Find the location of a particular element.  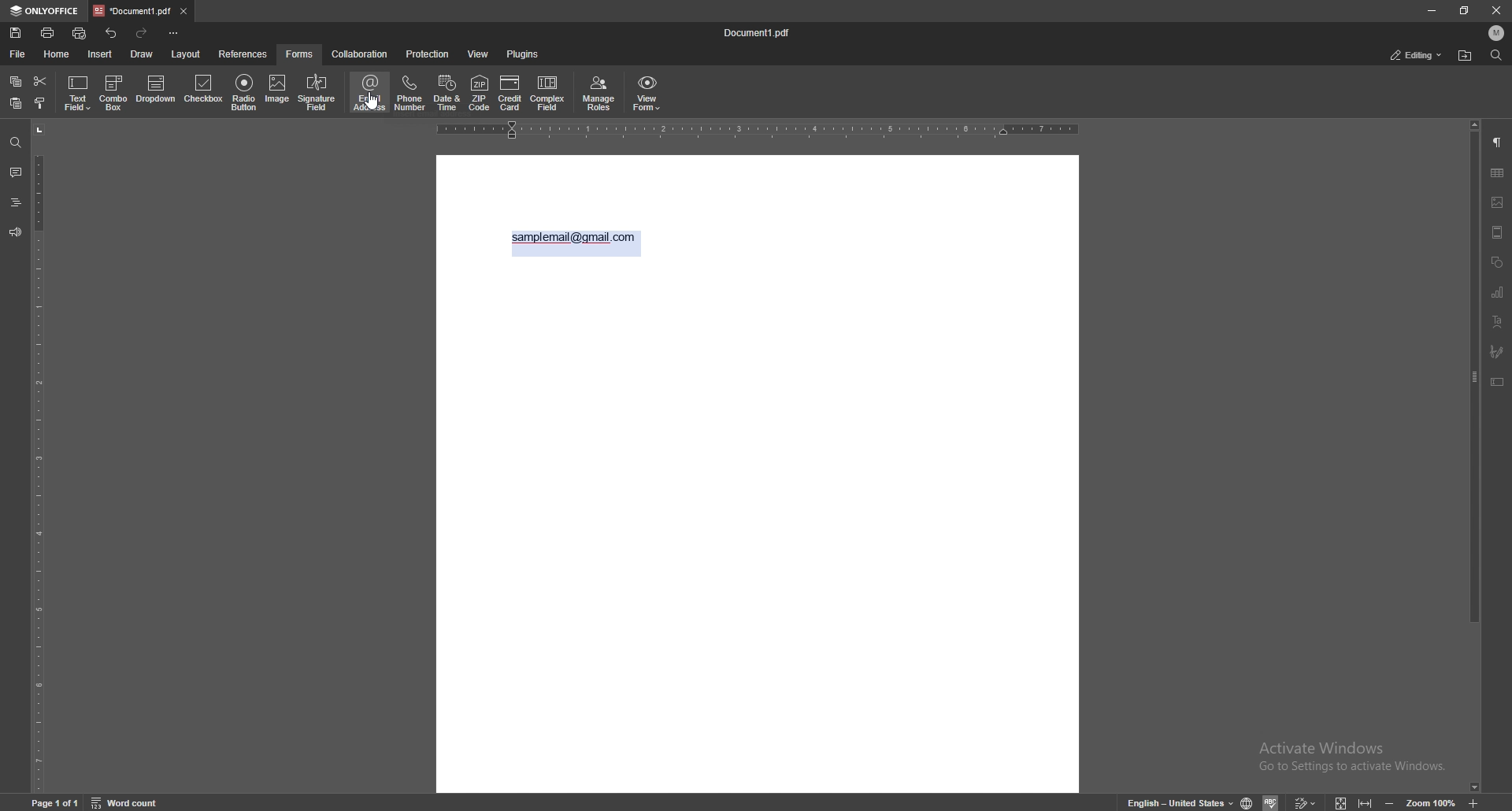

save is located at coordinates (16, 33).